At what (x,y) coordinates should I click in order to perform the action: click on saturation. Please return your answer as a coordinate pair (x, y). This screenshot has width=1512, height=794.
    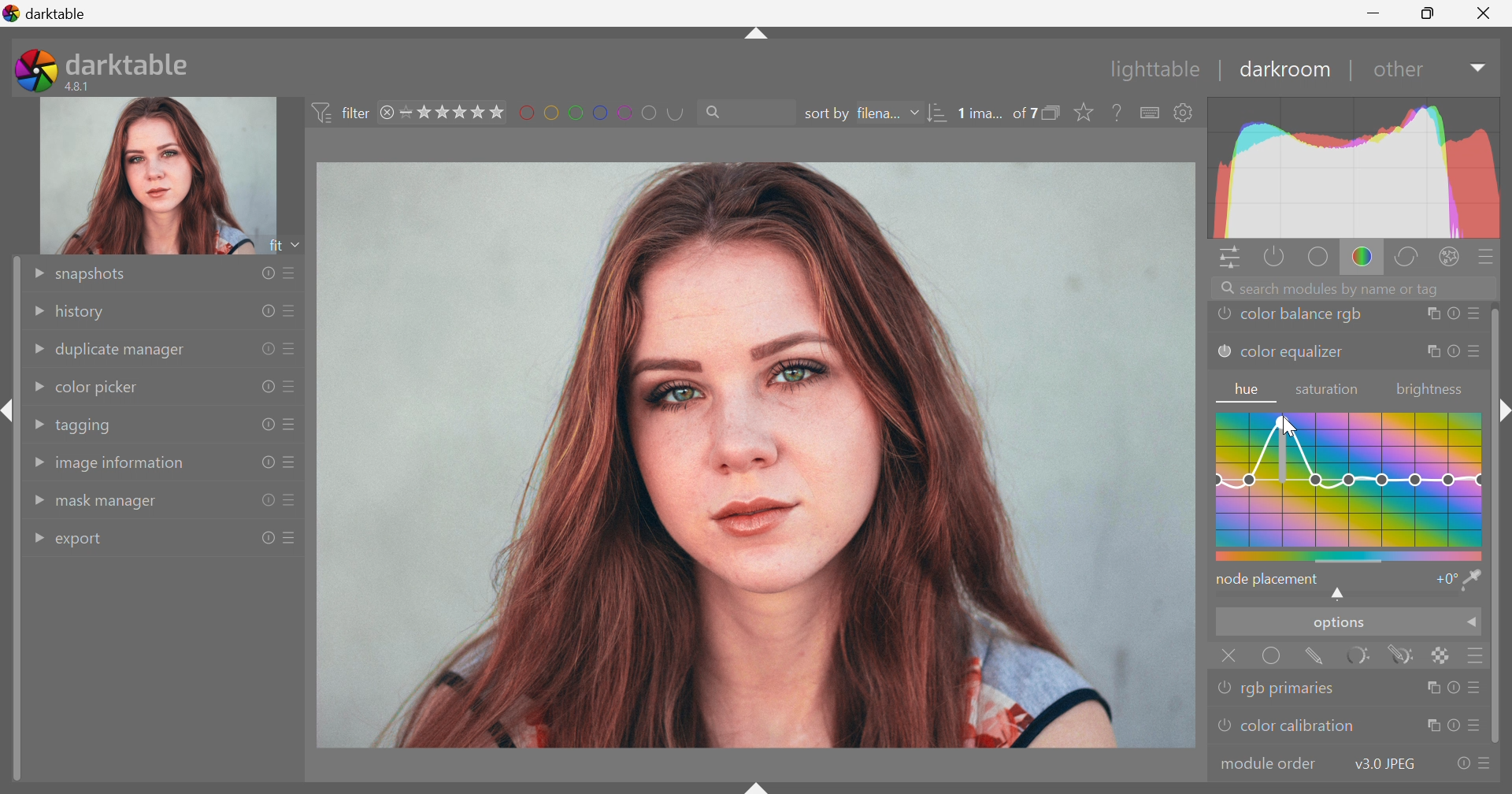
    Looking at the image, I should click on (1330, 390).